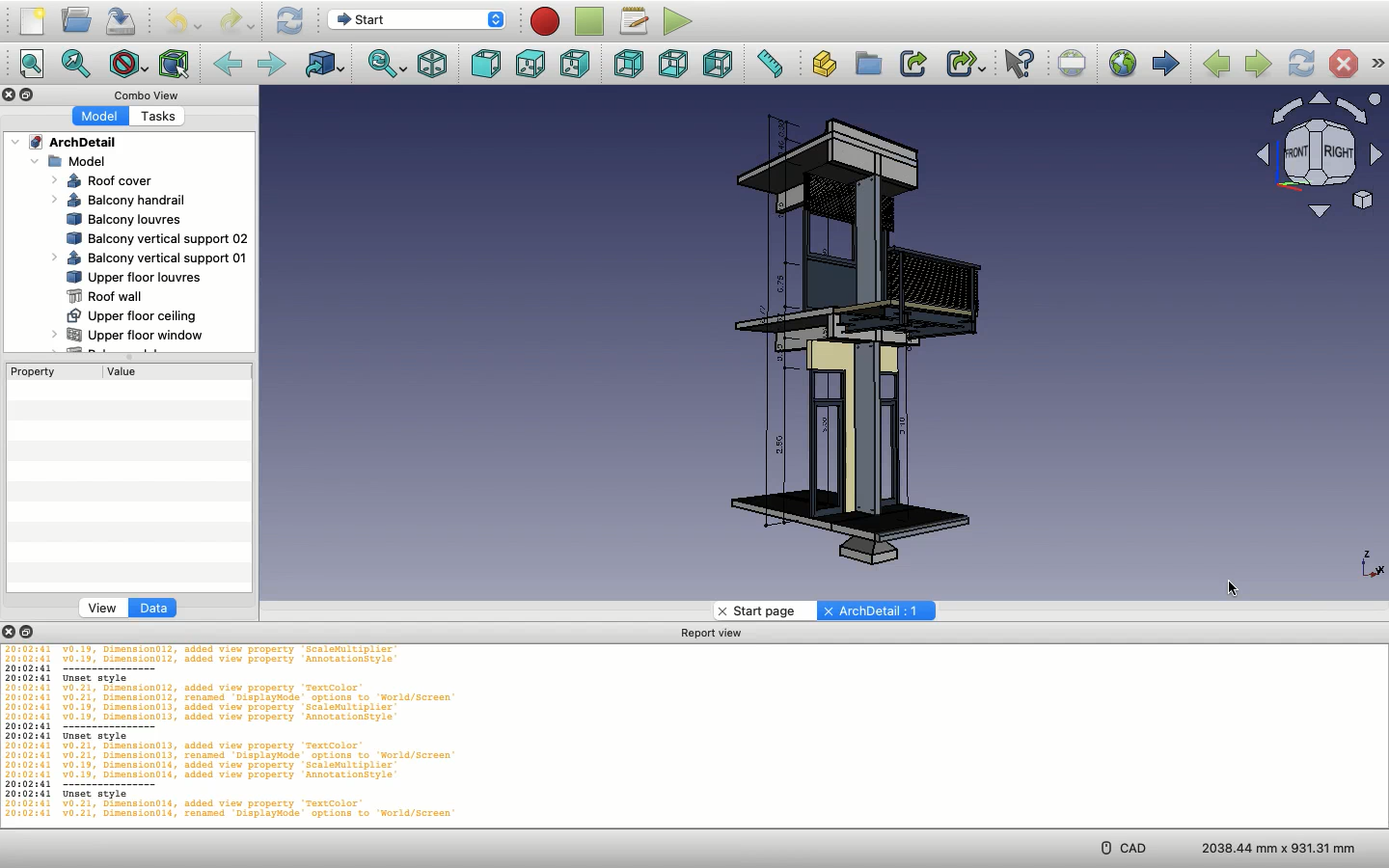 This screenshot has height=868, width=1389. Describe the element at coordinates (98, 116) in the screenshot. I see `Model` at that location.